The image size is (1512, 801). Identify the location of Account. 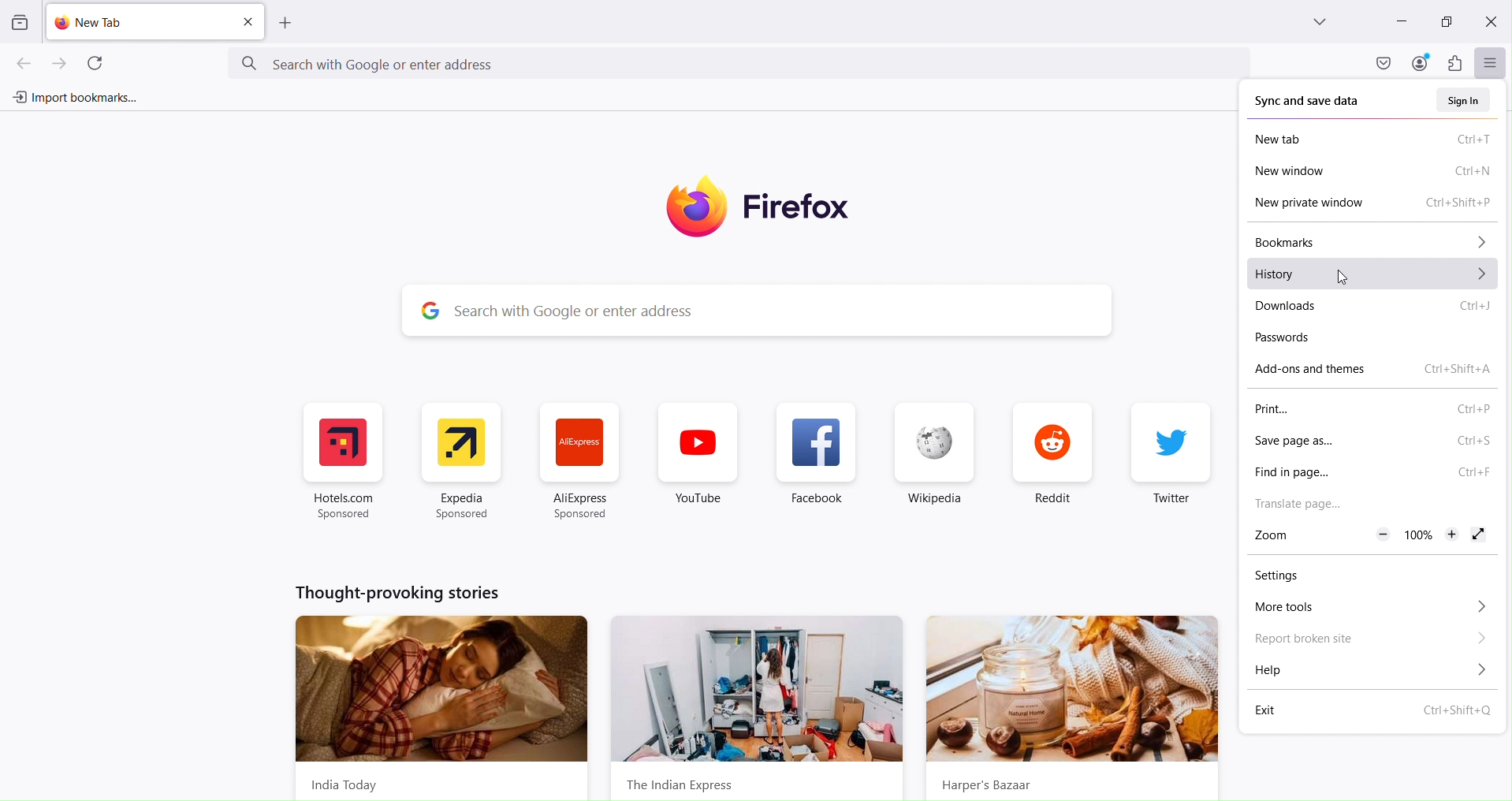
(1421, 62).